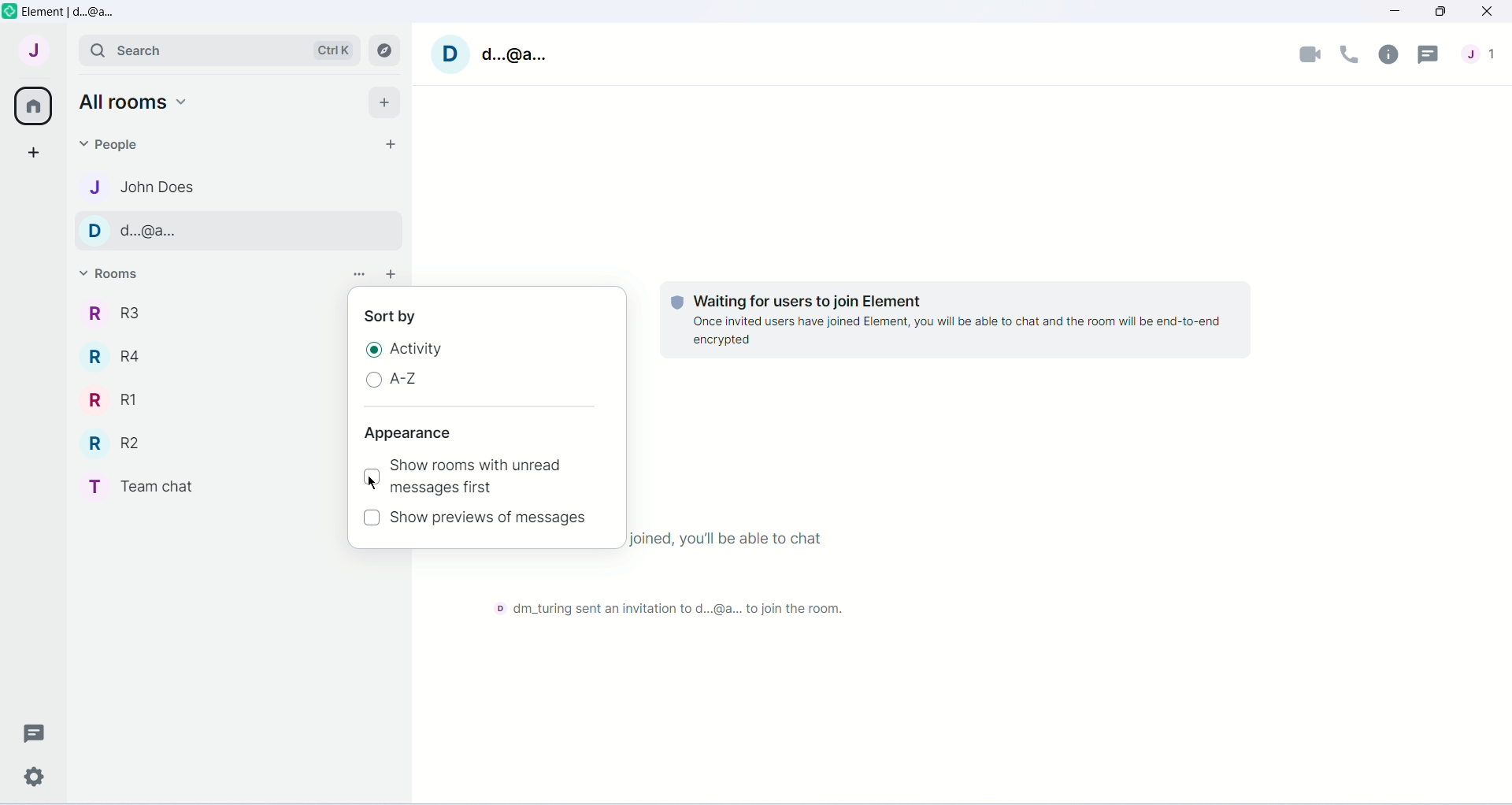 The width and height of the screenshot is (1512, 805). What do you see at coordinates (117, 276) in the screenshot?
I see `Rooms` at bounding box center [117, 276].